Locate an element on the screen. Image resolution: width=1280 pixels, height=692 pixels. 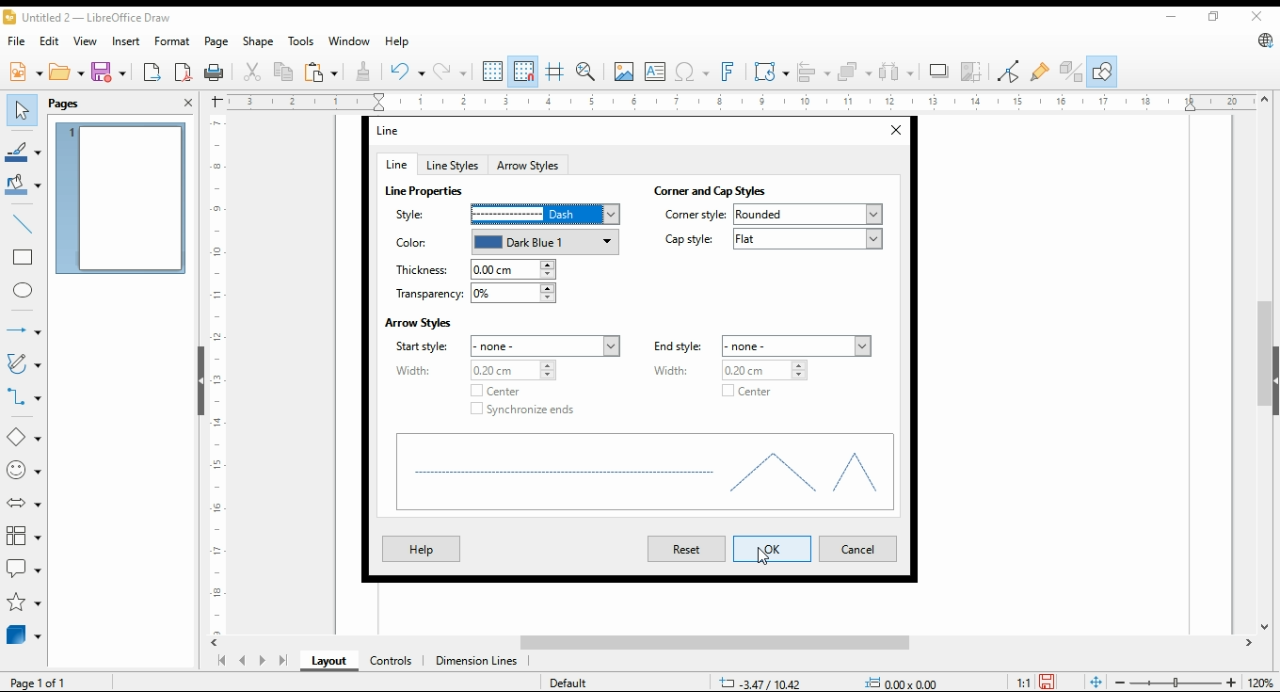
pan and zoom is located at coordinates (587, 72).